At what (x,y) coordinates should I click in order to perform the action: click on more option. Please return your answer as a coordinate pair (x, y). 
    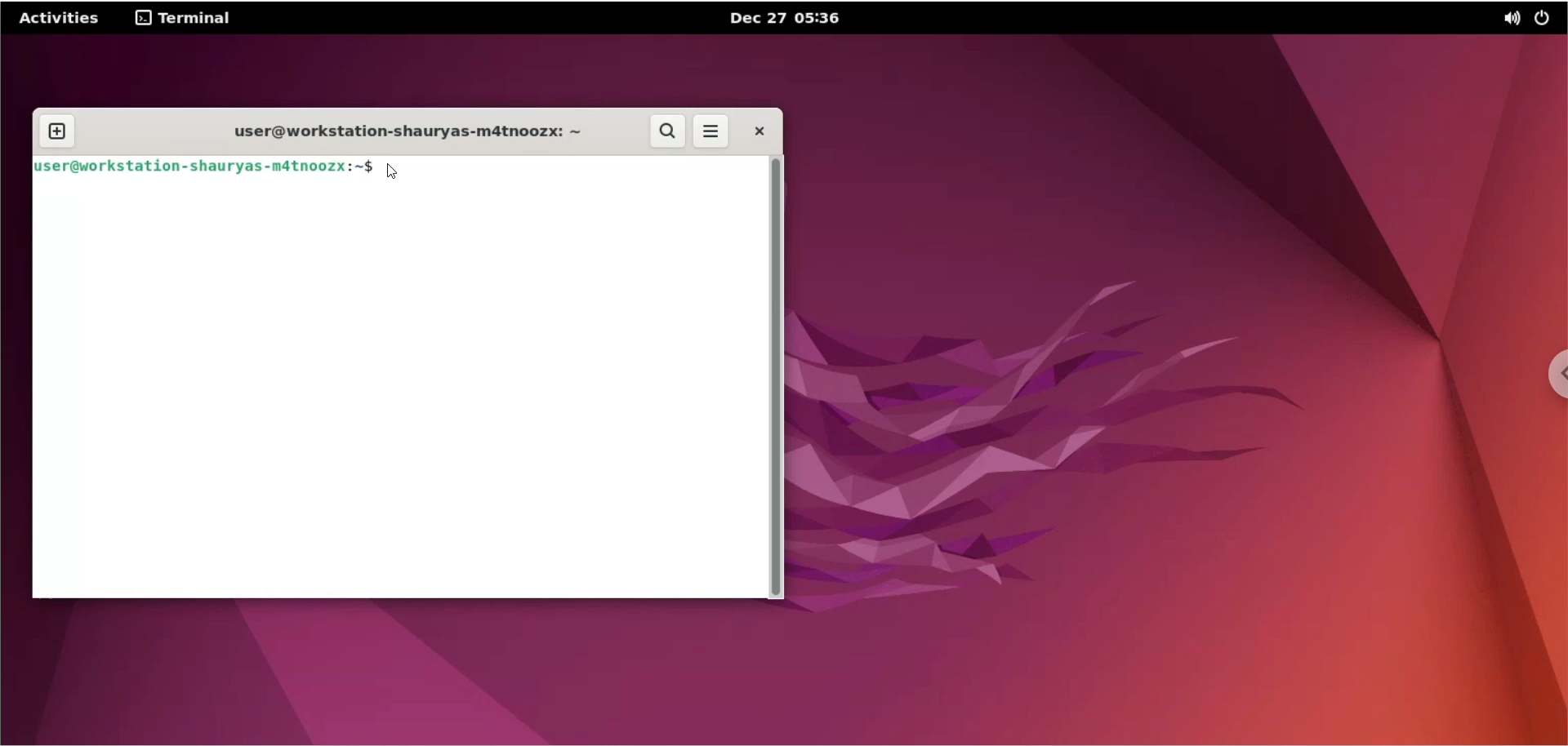
    Looking at the image, I should click on (713, 134).